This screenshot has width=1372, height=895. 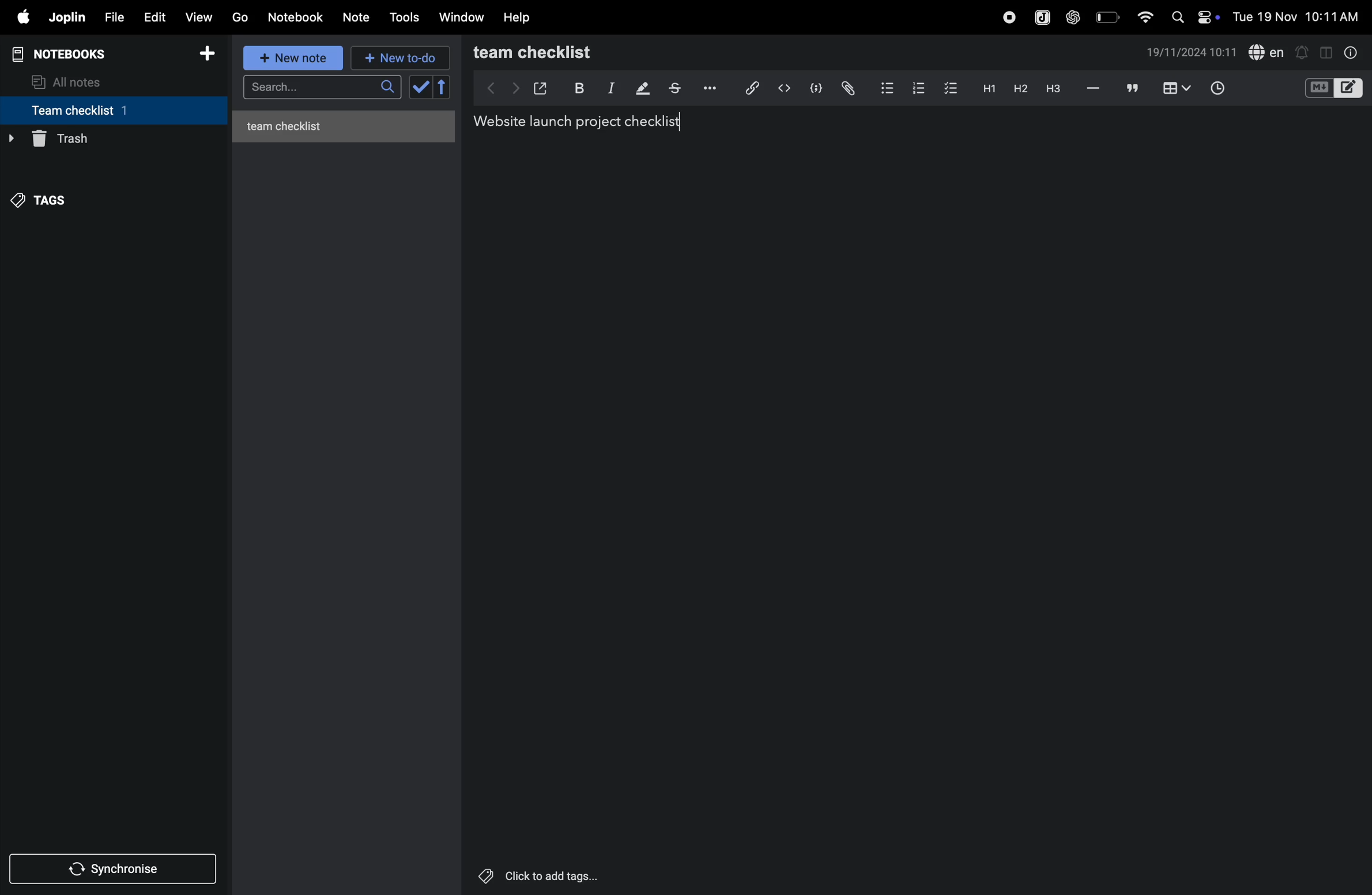 What do you see at coordinates (47, 197) in the screenshot?
I see `tags` at bounding box center [47, 197].